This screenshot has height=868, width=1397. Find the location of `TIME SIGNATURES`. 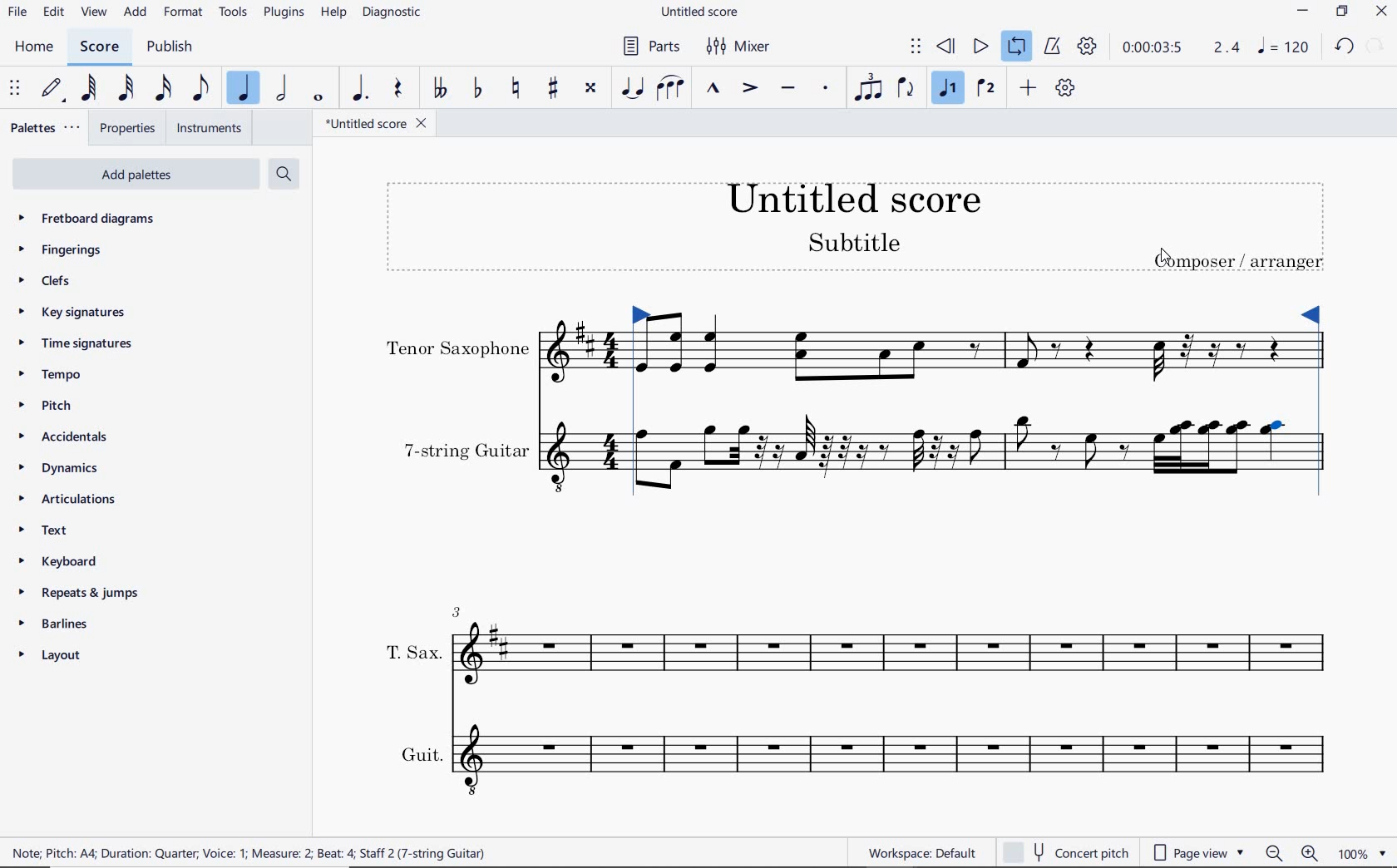

TIME SIGNATURES is located at coordinates (74, 343).